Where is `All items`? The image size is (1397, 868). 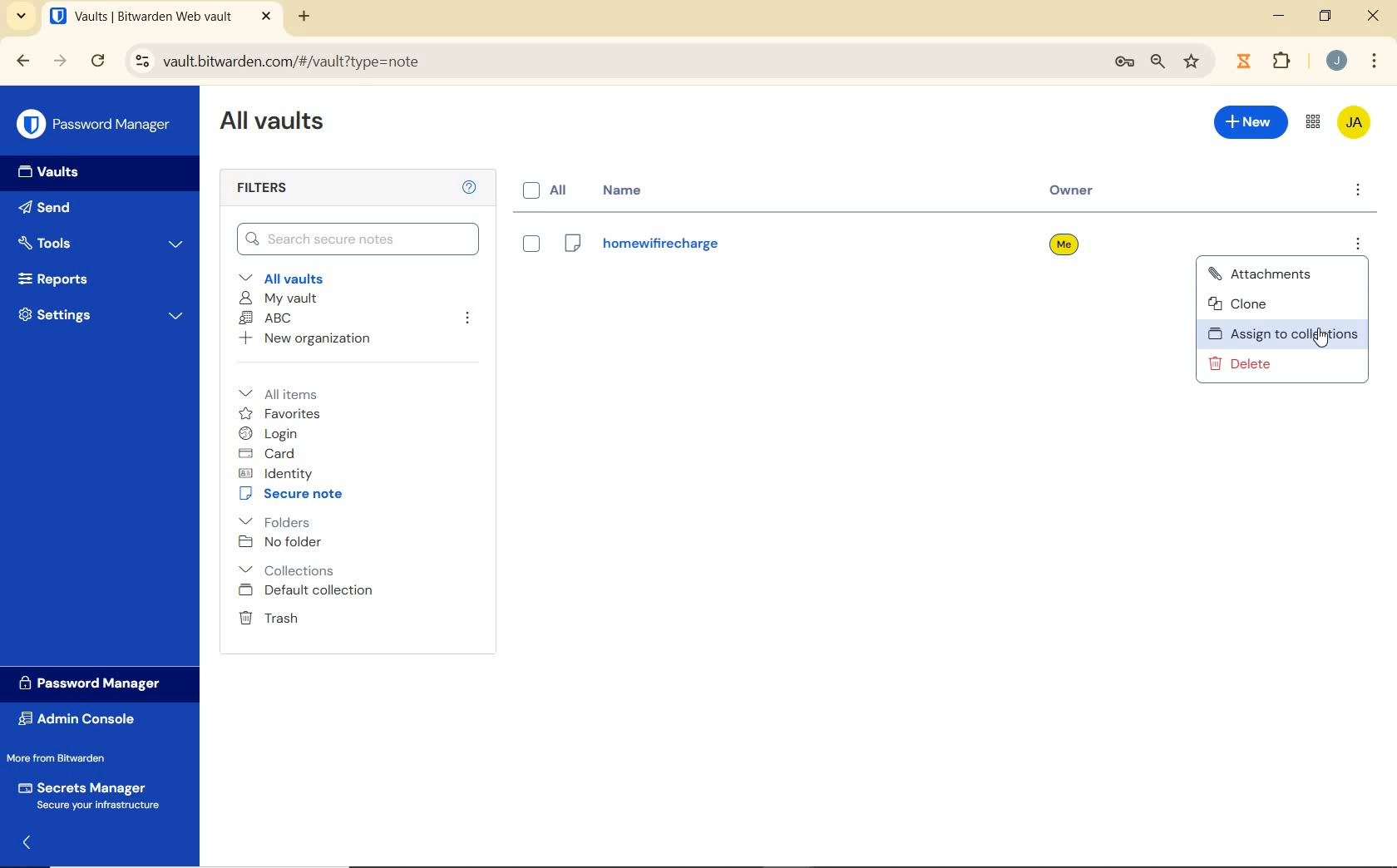 All items is located at coordinates (290, 392).